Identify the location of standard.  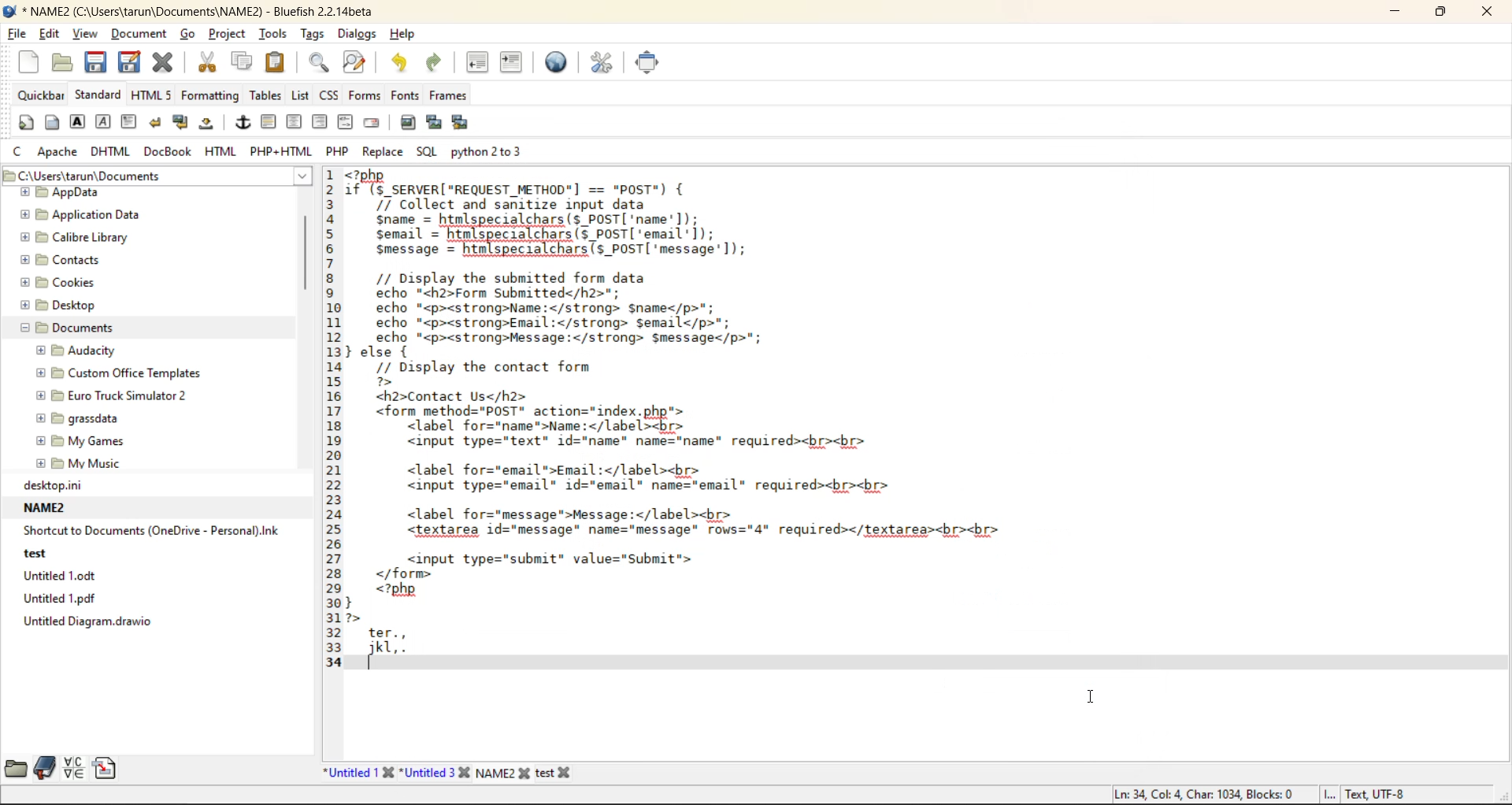
(99, 97).